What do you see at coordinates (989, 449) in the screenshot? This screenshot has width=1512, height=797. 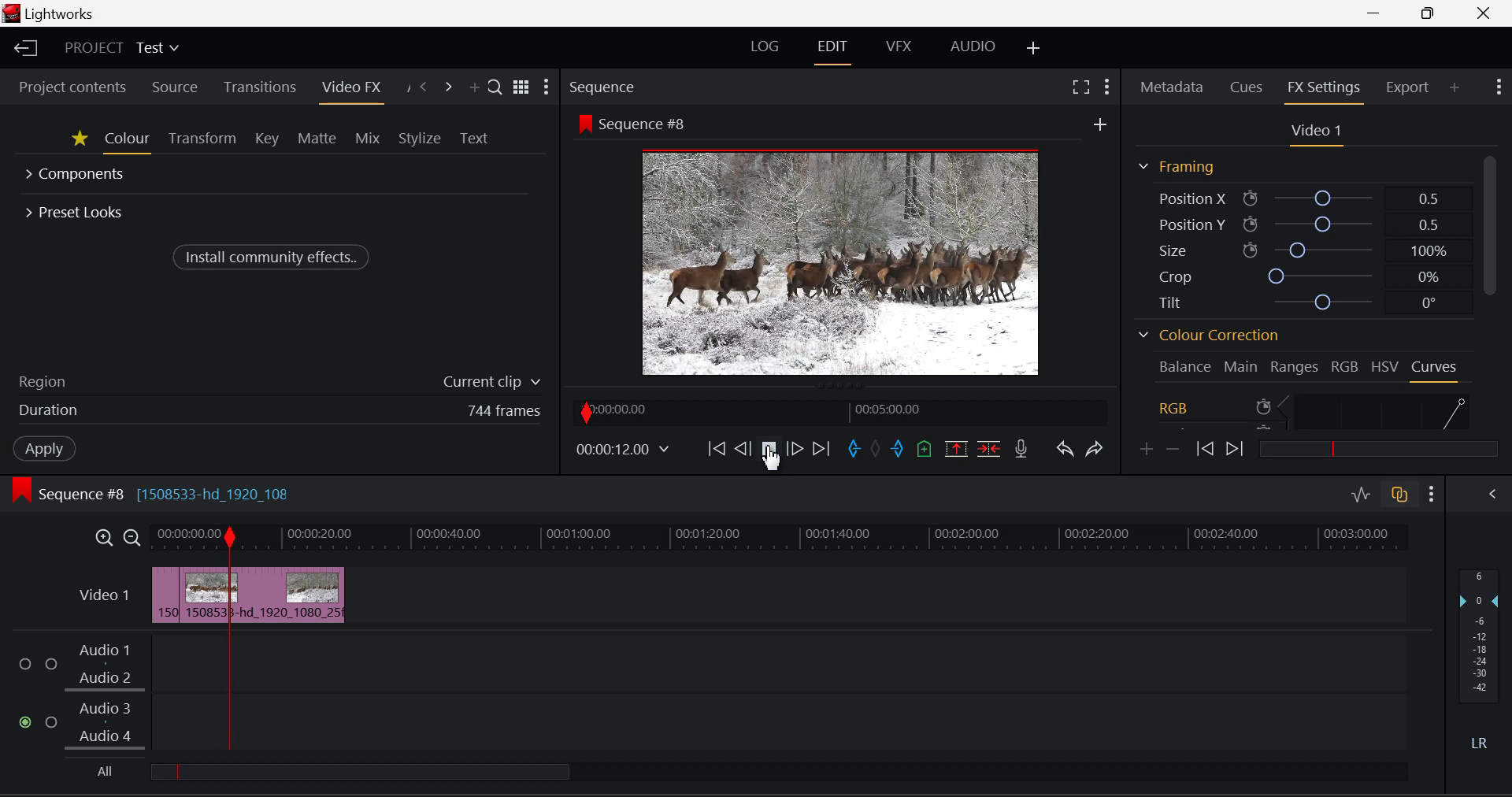 I see `Delete/Cut` at bounding box center [989, 449].